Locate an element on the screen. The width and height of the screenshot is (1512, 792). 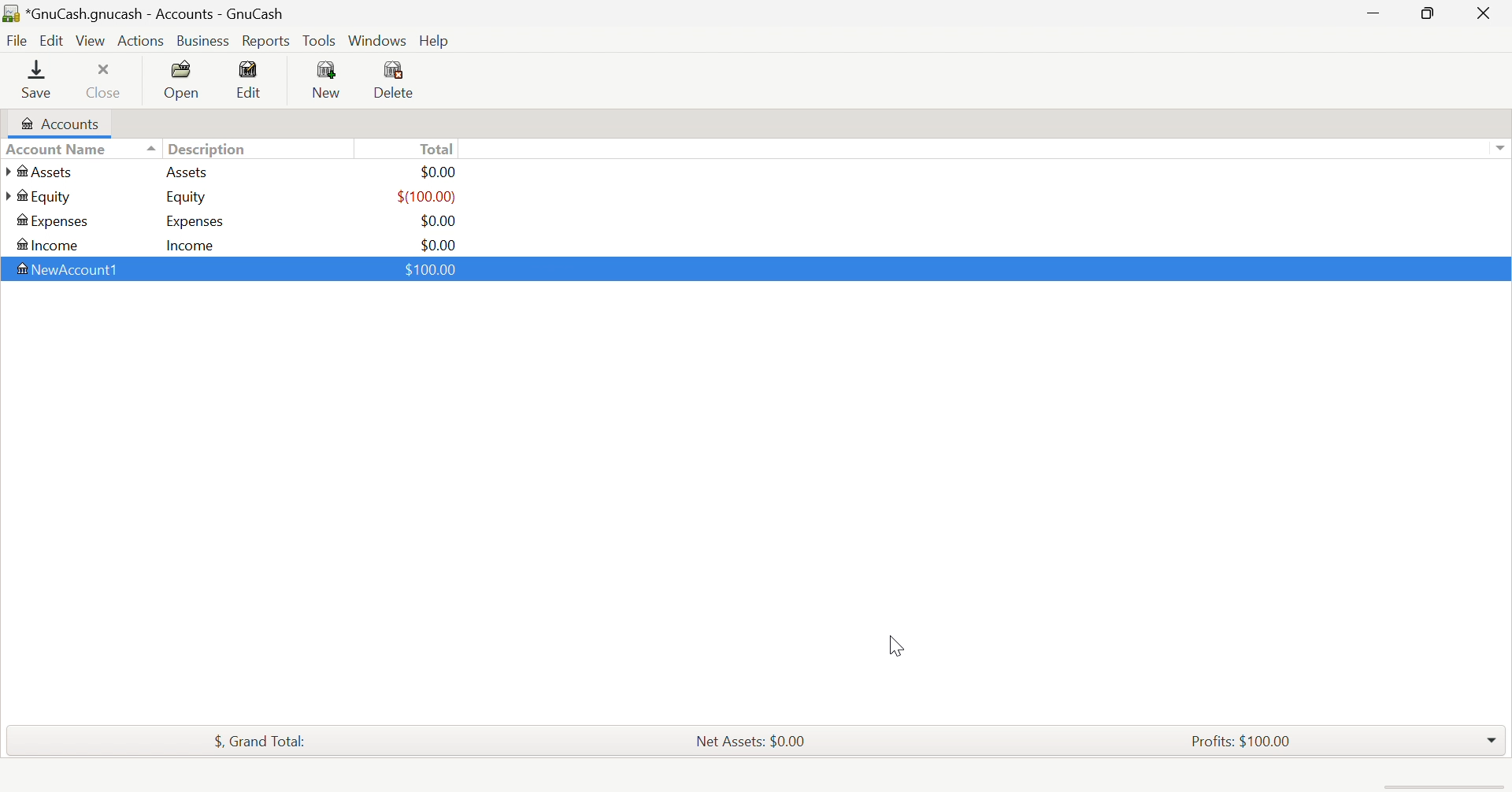
$0.00 is located at coordinates (439, 242).